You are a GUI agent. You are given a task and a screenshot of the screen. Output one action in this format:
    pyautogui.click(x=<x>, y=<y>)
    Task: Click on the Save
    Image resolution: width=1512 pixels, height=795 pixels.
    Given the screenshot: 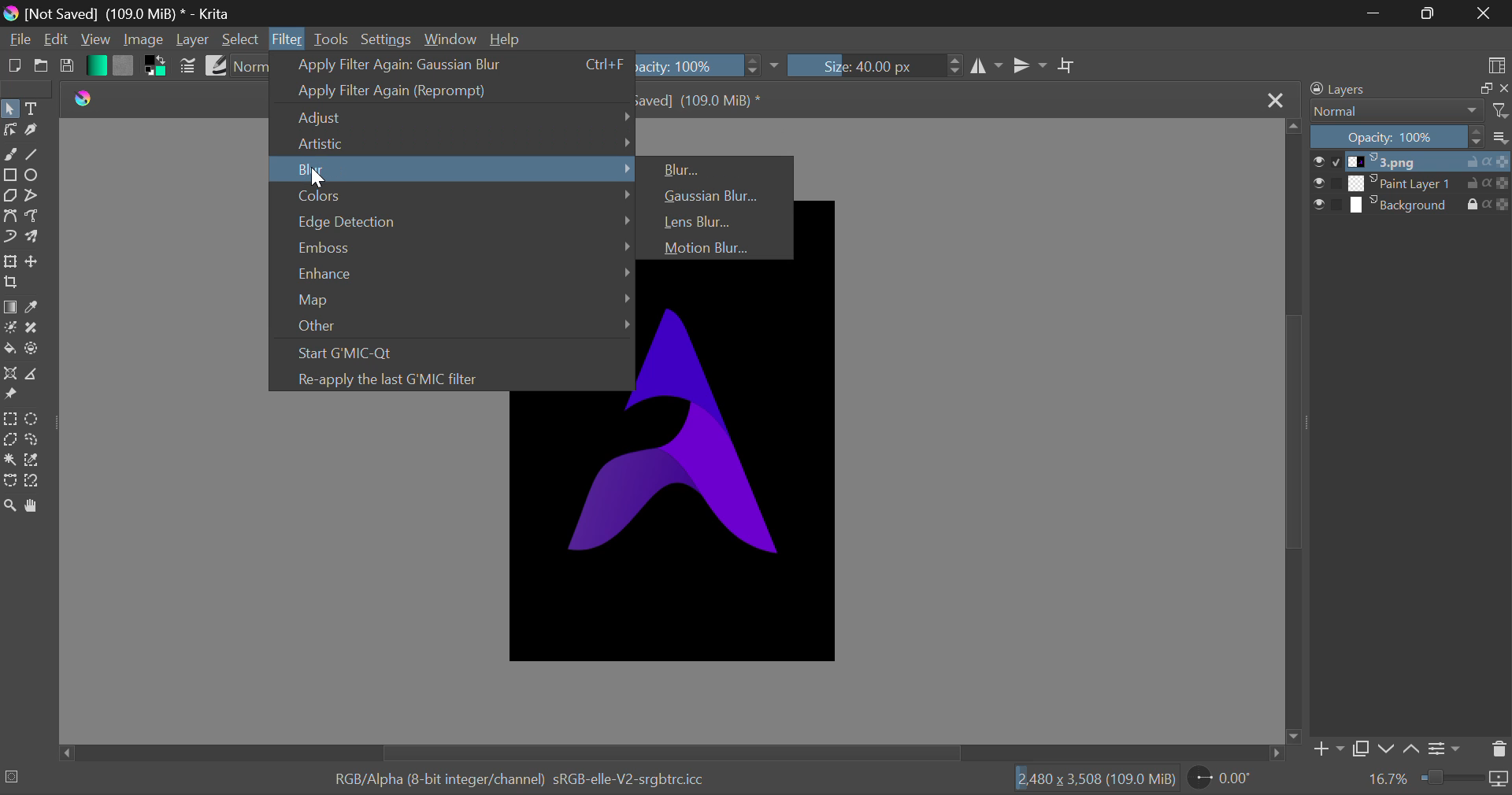 What is the action you would take?
    pyautogui.click(x=67, y=69)
    